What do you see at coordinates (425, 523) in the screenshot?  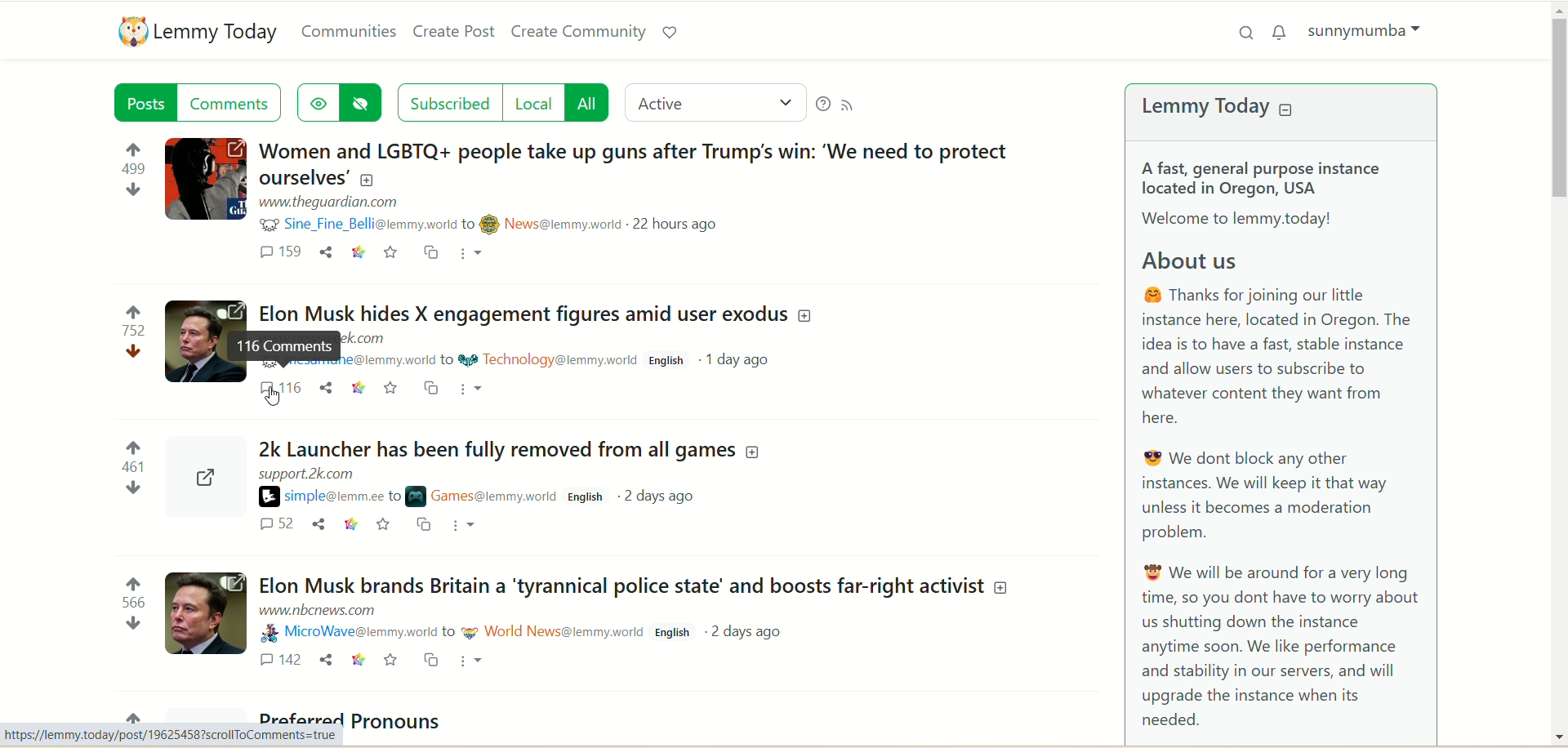 I see `cross-post` at bounding box center [425, 523].